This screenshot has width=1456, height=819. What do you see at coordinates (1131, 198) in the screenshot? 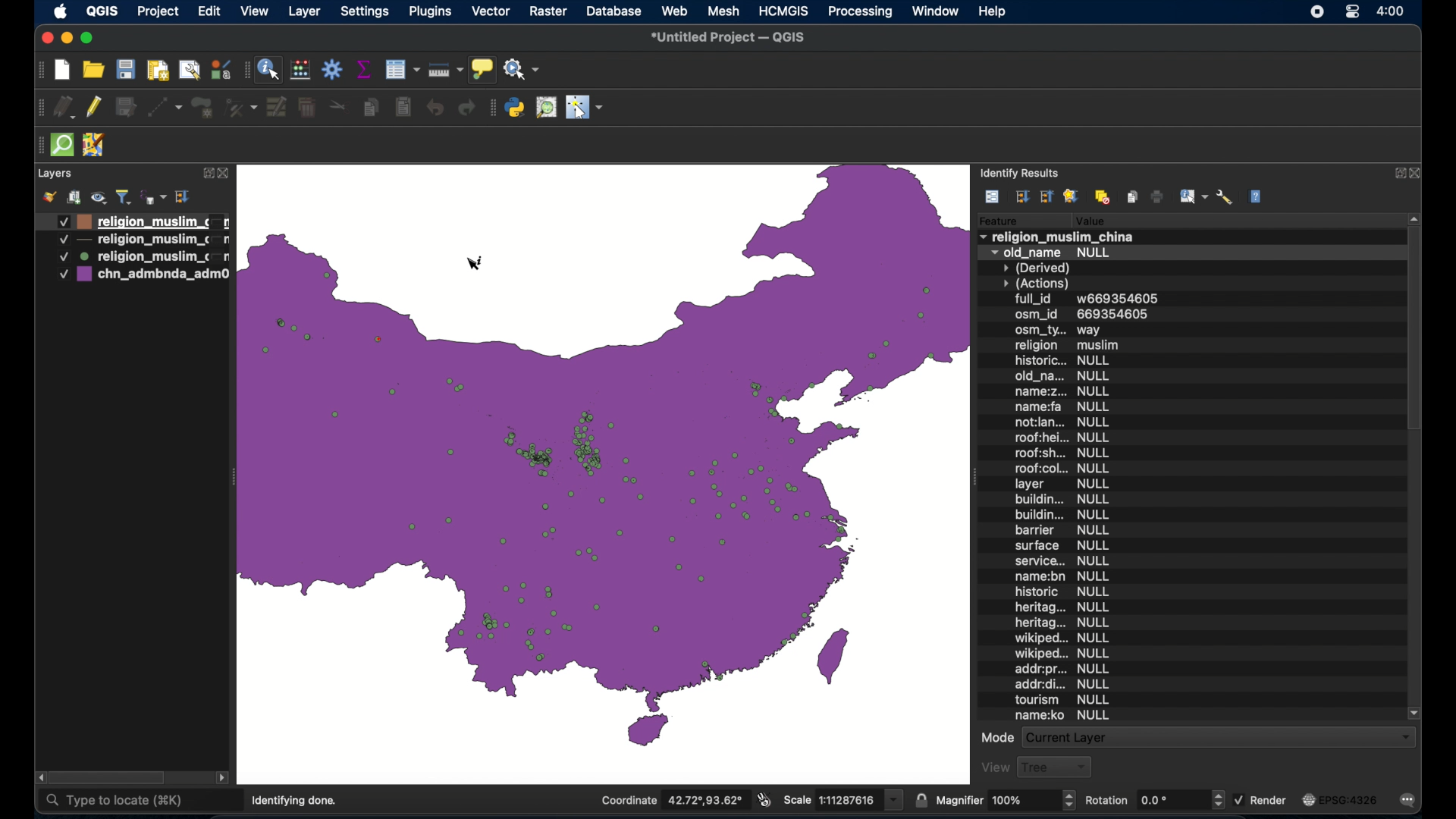
I see `copy` at bounding box center [1131, 198].